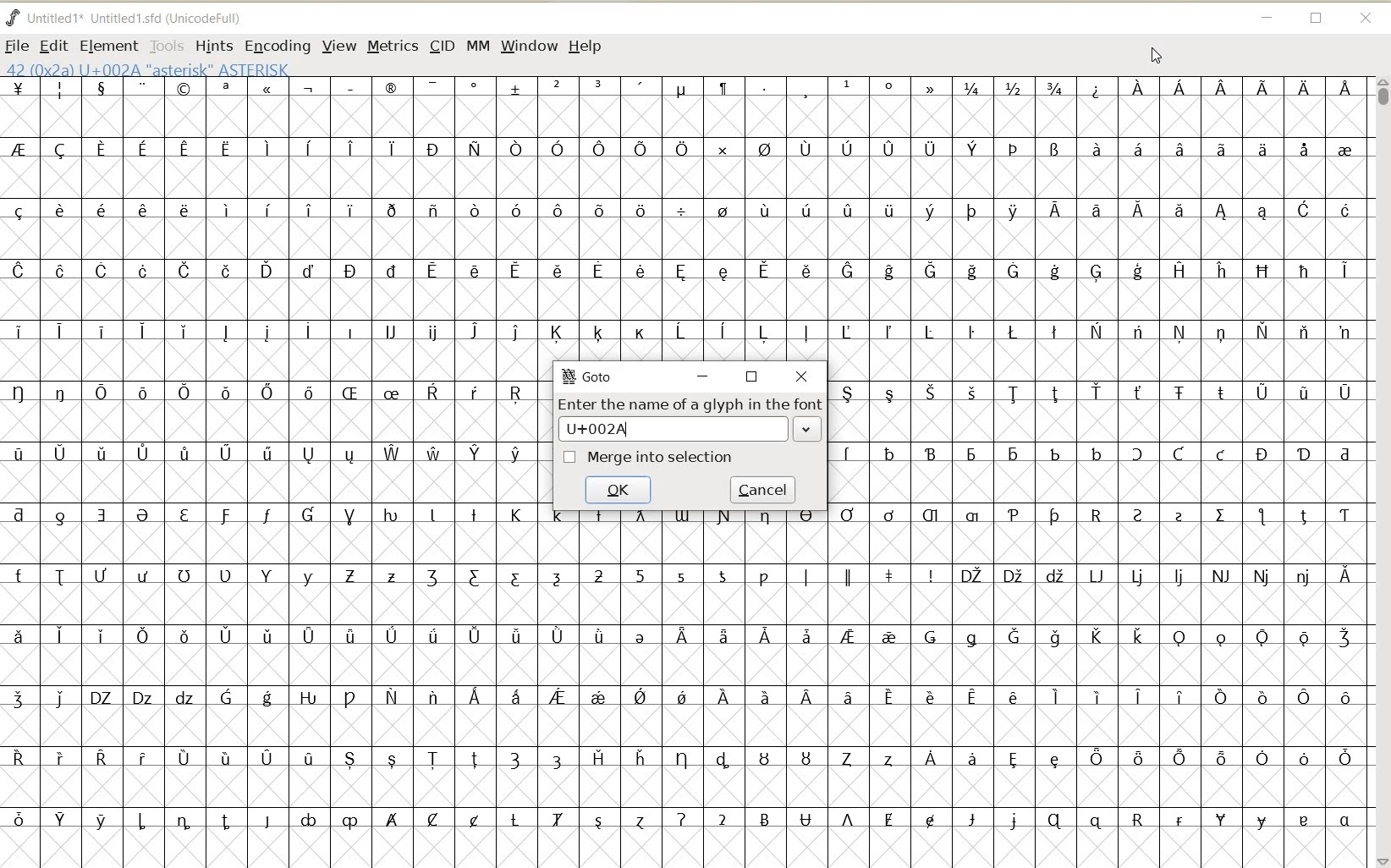 Image resolution: width=1391 pixels, height=868 pixels. I want to click on ENCODING, so click(277, 47).